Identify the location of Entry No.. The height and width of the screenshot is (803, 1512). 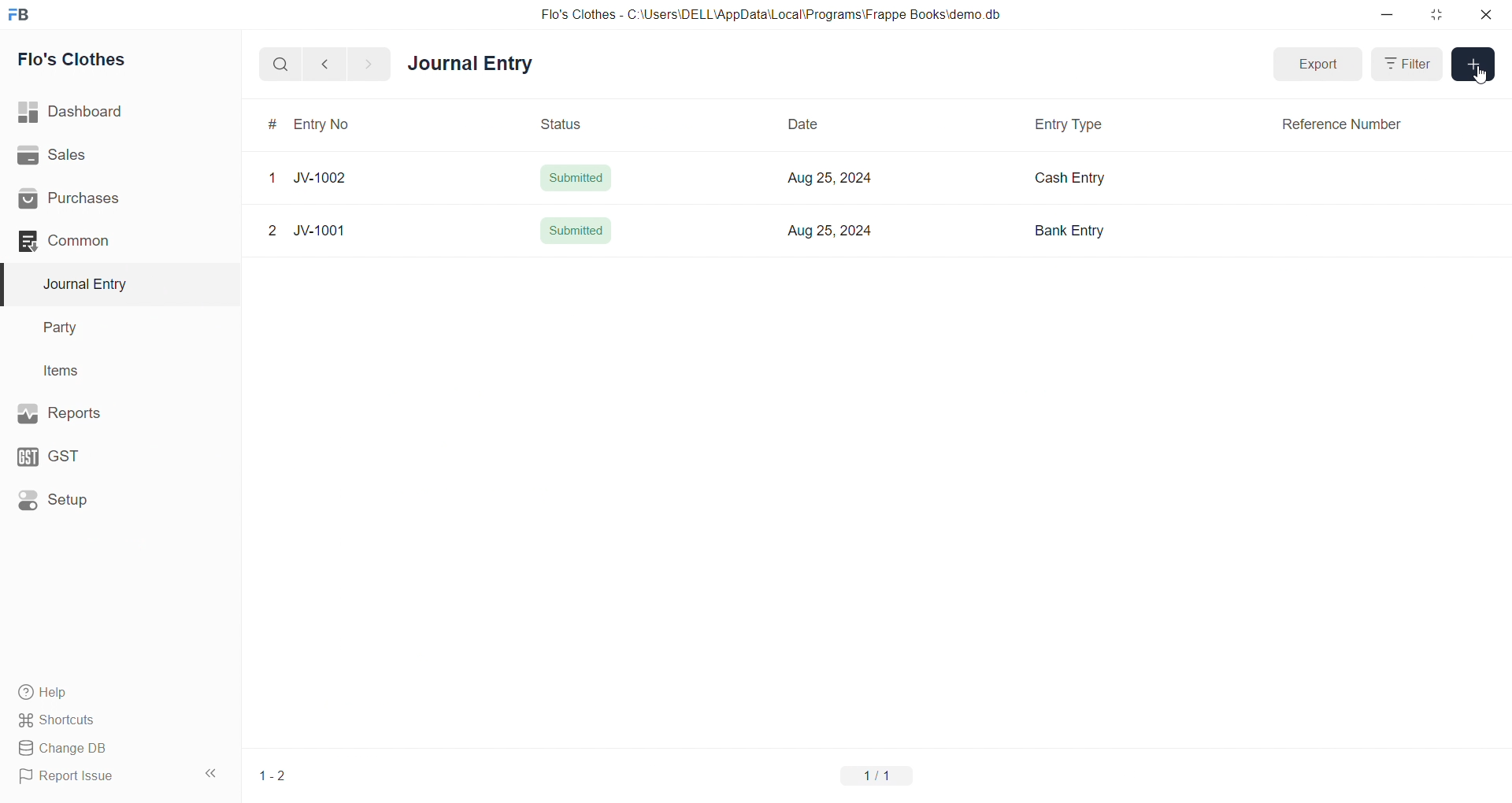
(332, 124).